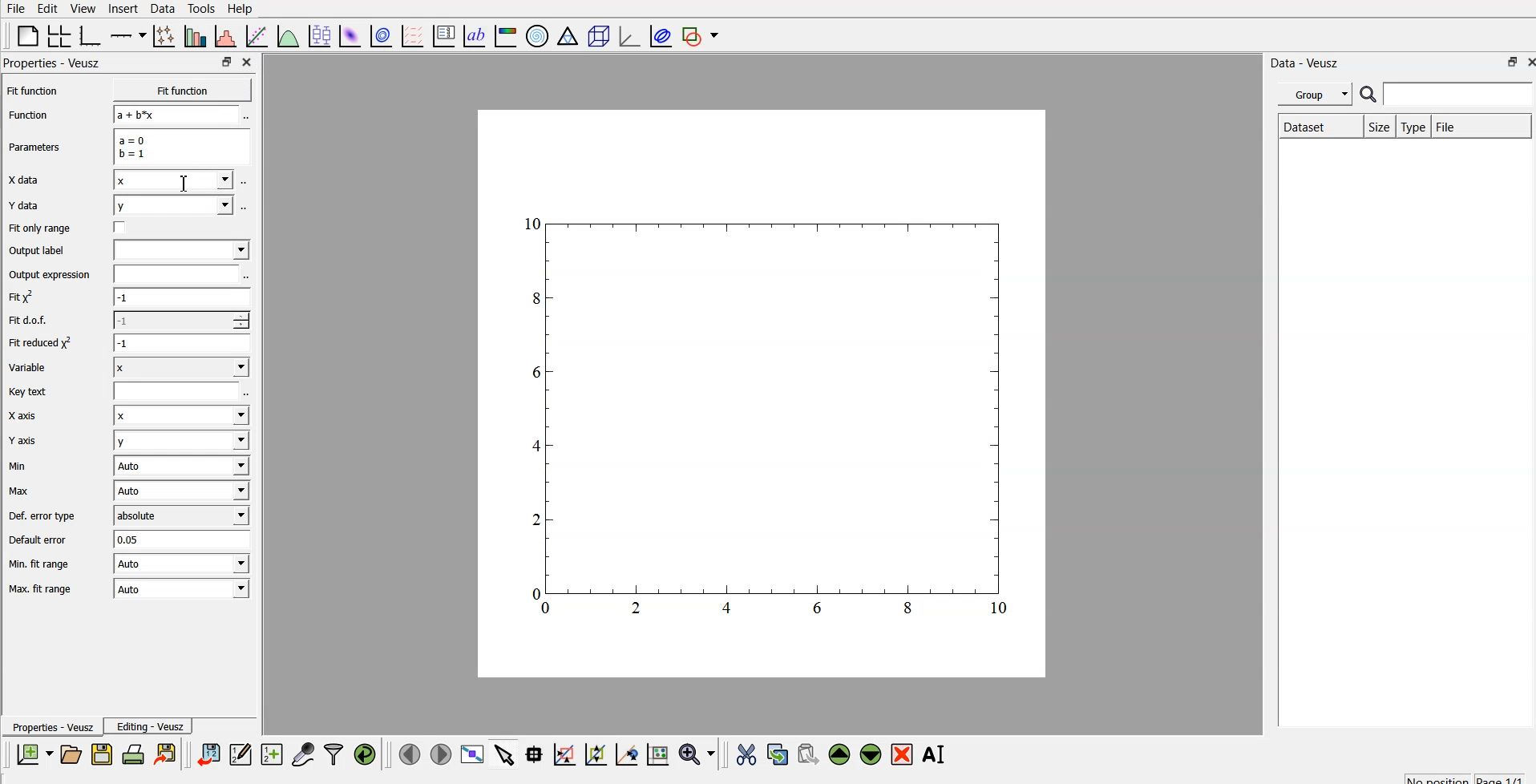  Describe the element at coordinates (663, 38) in the screenshot. I see `plot covariance ellipse` at that location.